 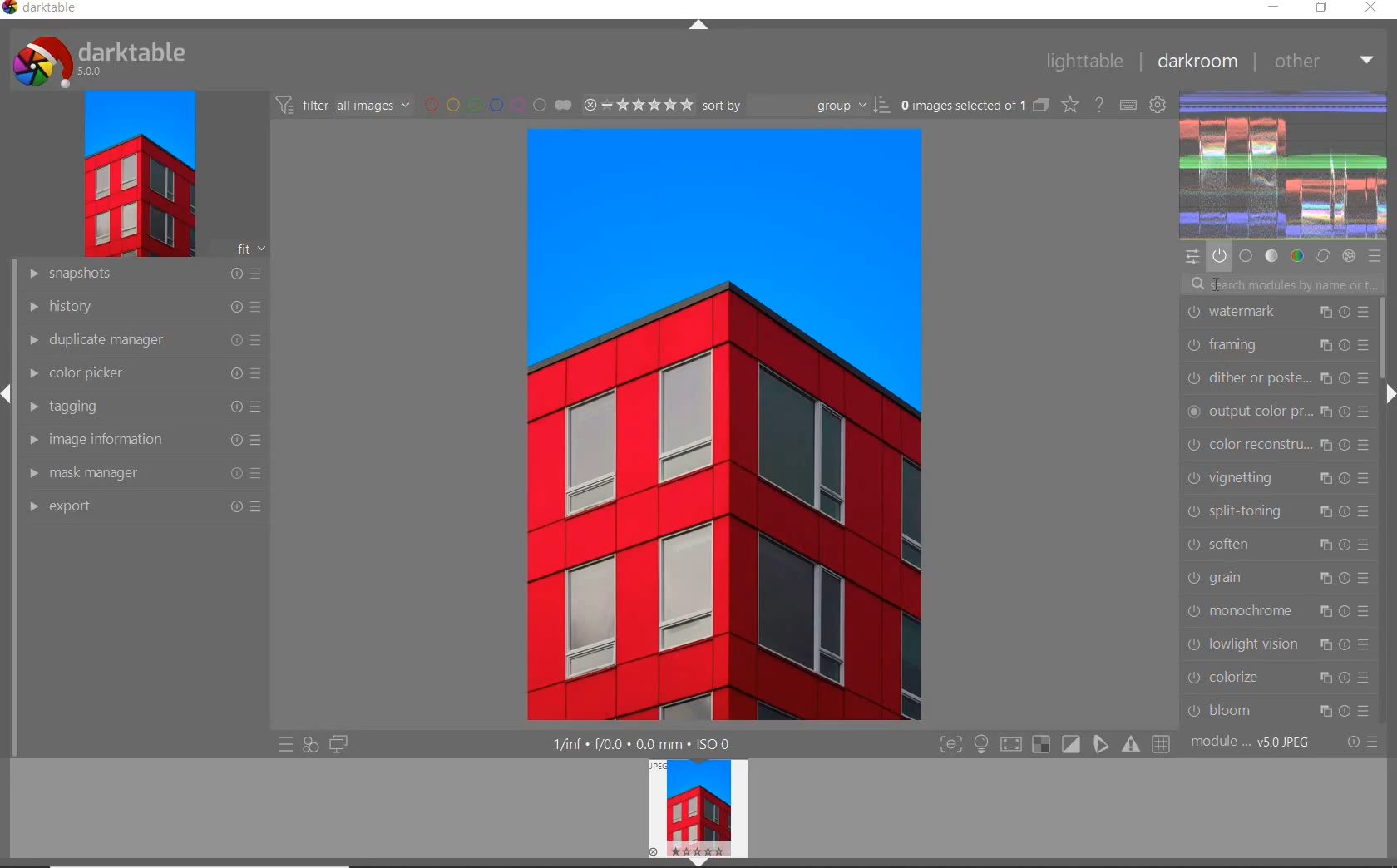 I want to click on soft proofing, so click(x=1072, y=744).